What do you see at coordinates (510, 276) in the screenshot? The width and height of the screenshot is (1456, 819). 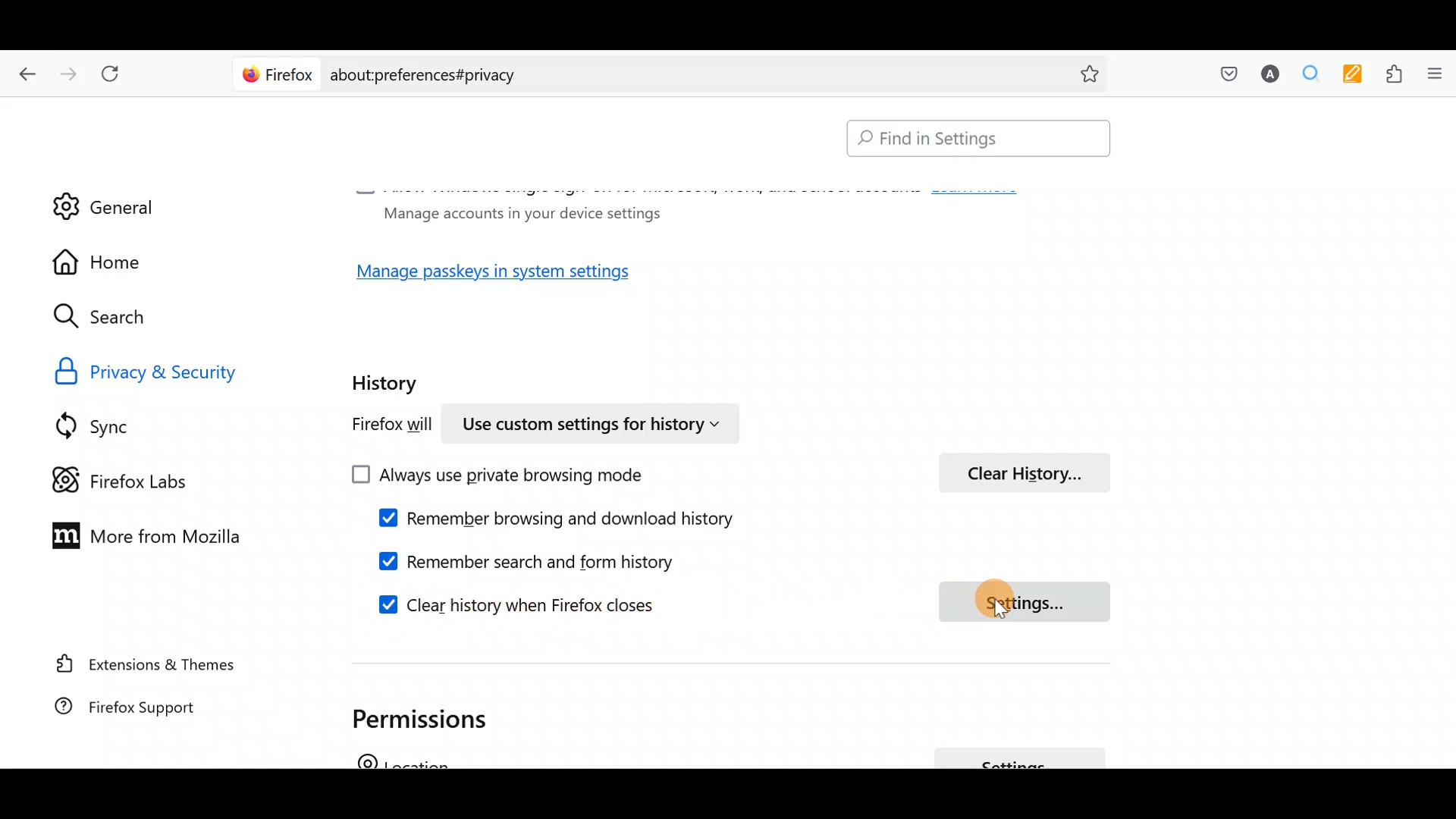 I see `Manage passkeys in system settings` at bounding box center [510, 276].